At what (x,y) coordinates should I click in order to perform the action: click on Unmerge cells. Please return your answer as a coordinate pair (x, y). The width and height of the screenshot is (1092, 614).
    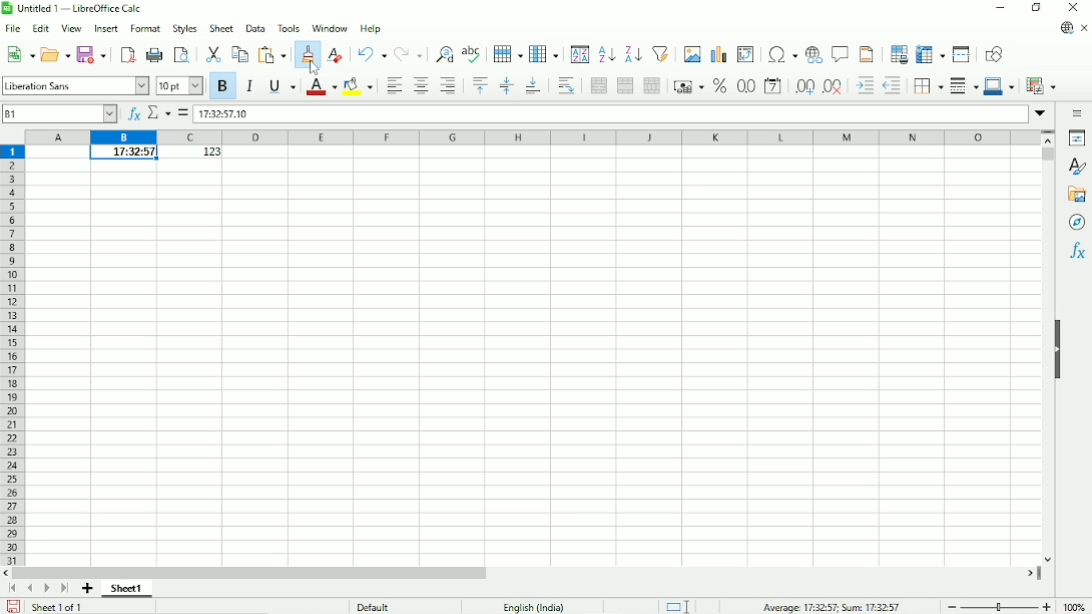
    Looking at the image, I should click on (652, 86).